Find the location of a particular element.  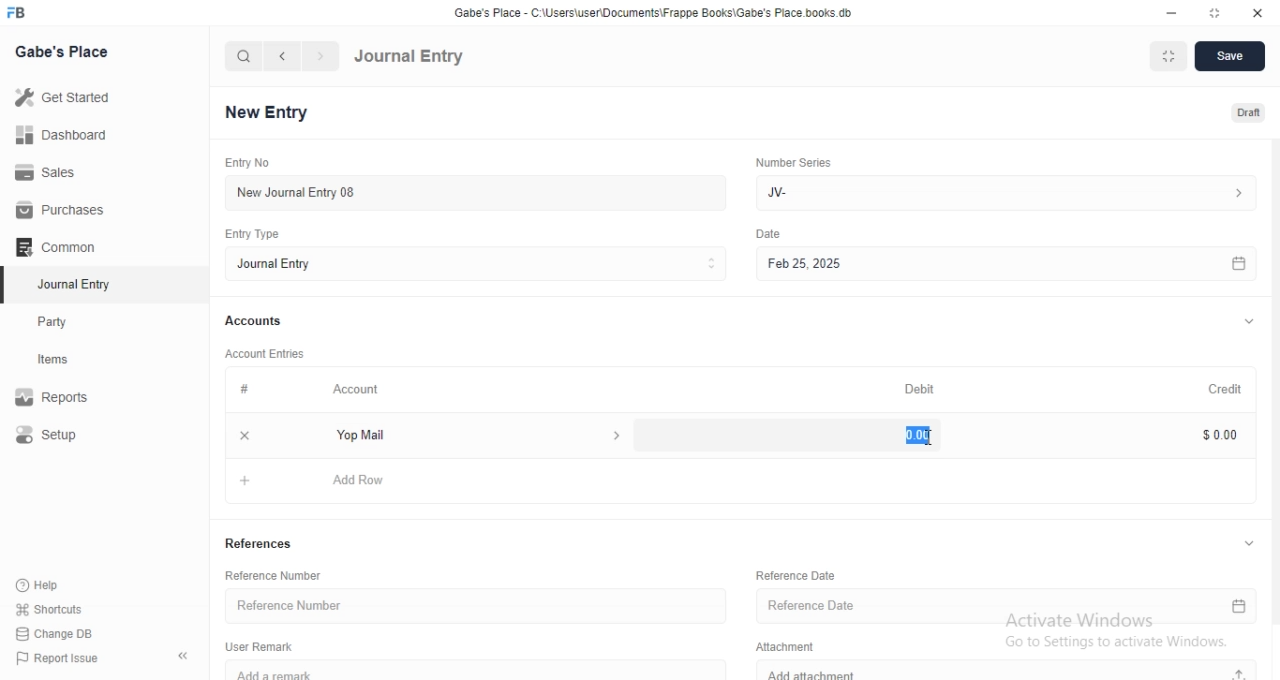

cursor is located at coordinates (931, 441).